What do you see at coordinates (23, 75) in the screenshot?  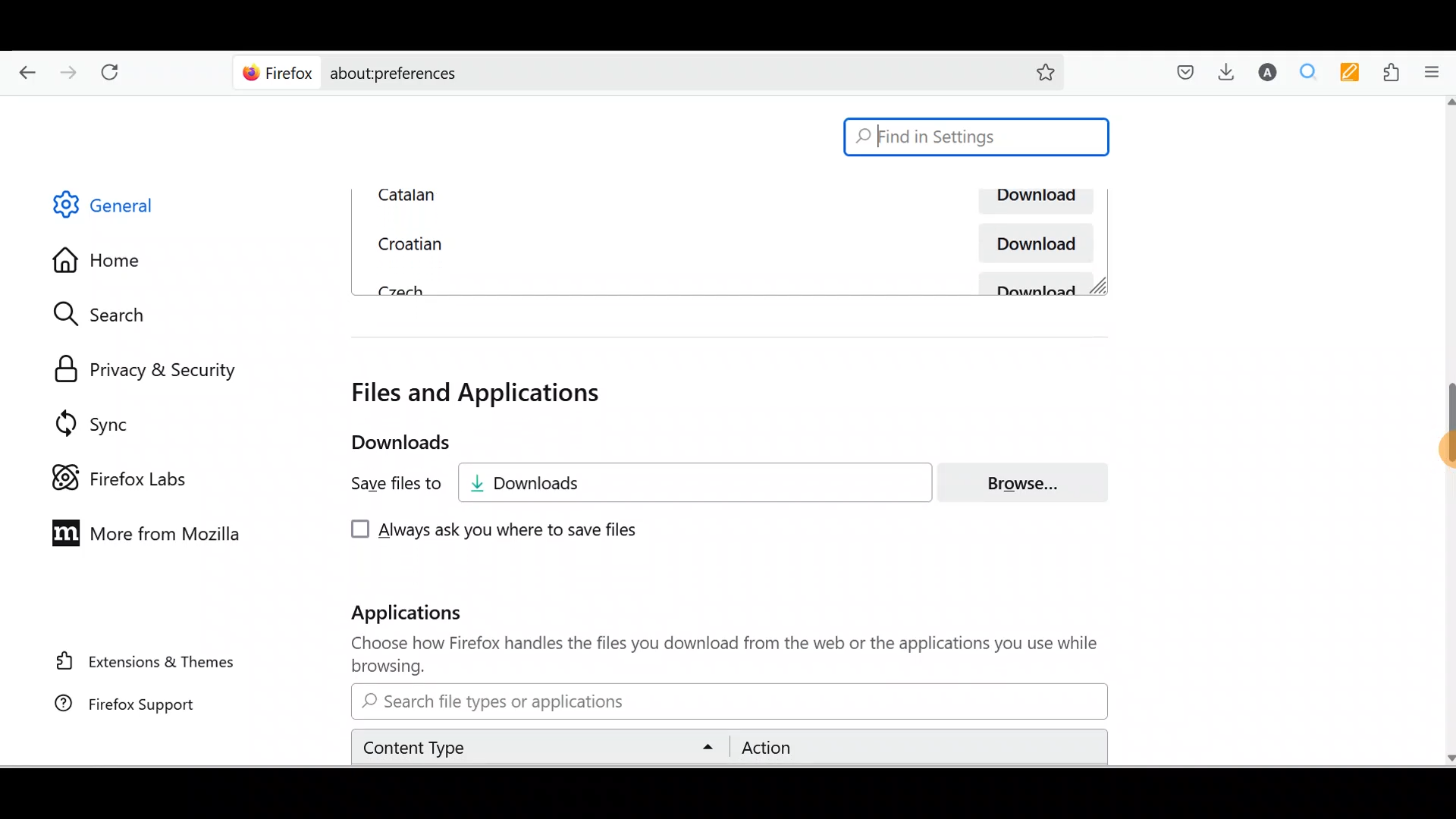 I see `Go back one page` at bounding box center [23, 75].